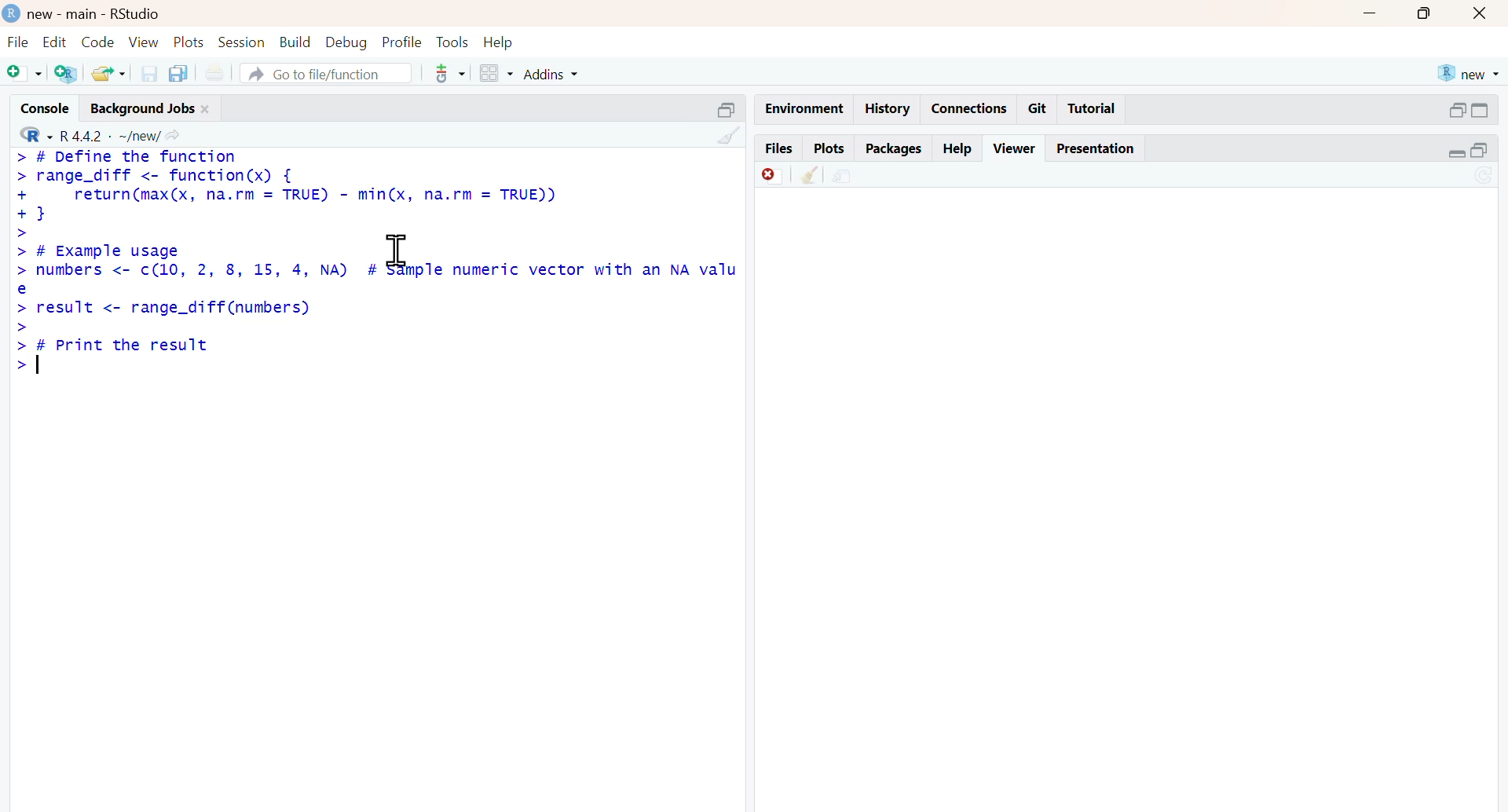 This screenshot has width=1508, height=812. Describe the element at coordinates (498, 43) in the screenshot. I see `help` at that location.